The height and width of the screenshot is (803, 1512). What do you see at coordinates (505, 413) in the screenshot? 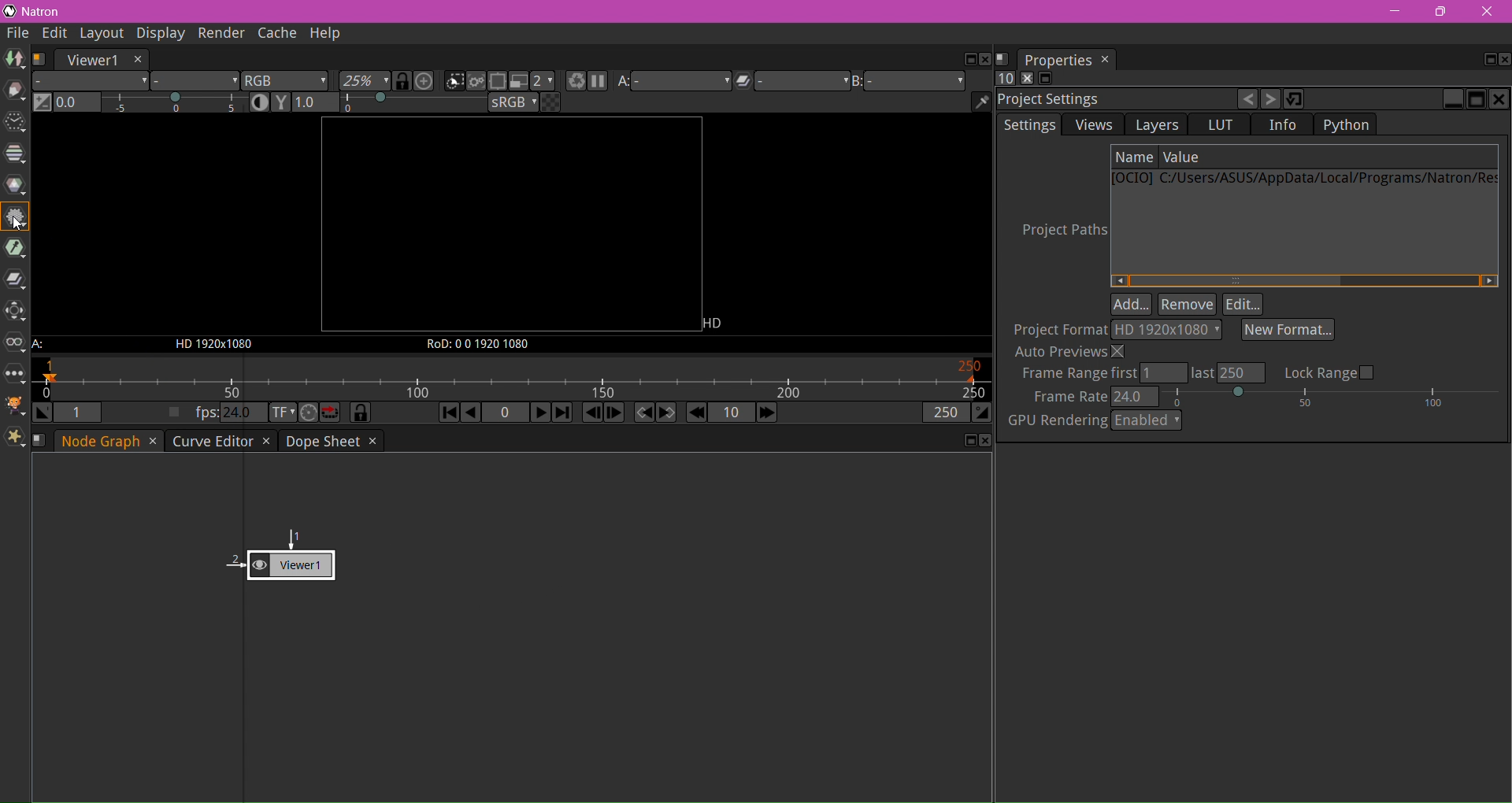
I see `Current Farme Number` at bounding box center [505, 413].